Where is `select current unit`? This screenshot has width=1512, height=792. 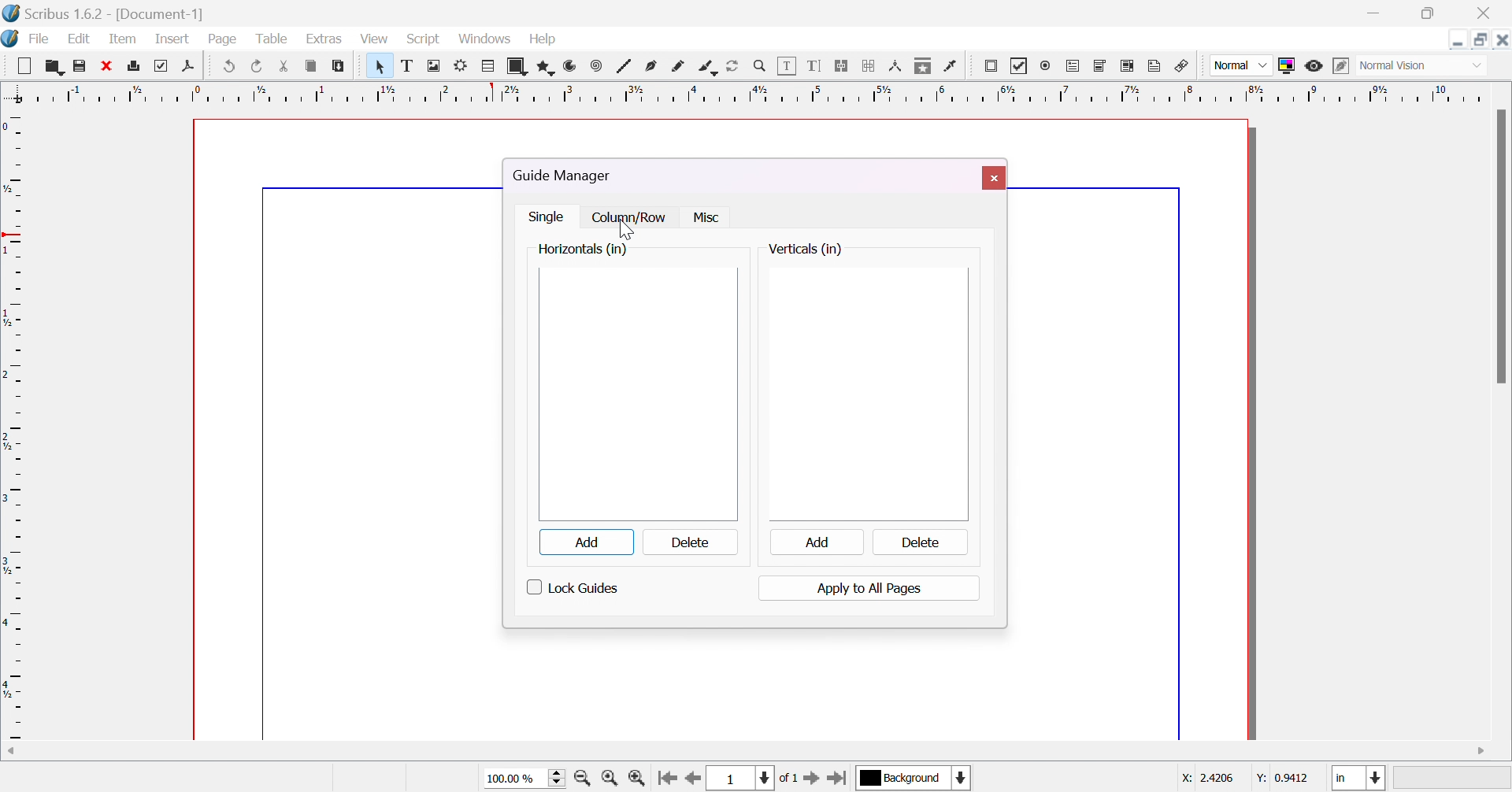 select current unit is located at coordinates (1360, 779).